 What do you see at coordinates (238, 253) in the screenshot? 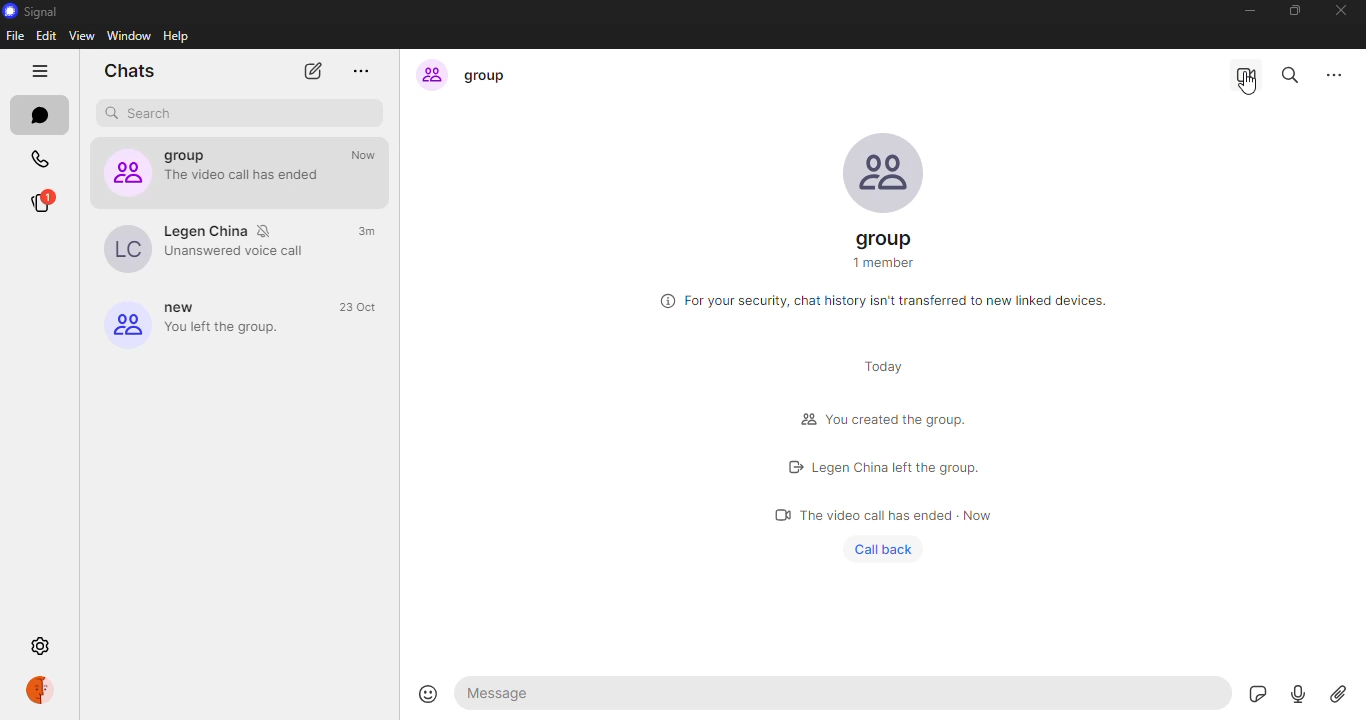
I see `Unanswered voice call` at bounding box center [238, 253].